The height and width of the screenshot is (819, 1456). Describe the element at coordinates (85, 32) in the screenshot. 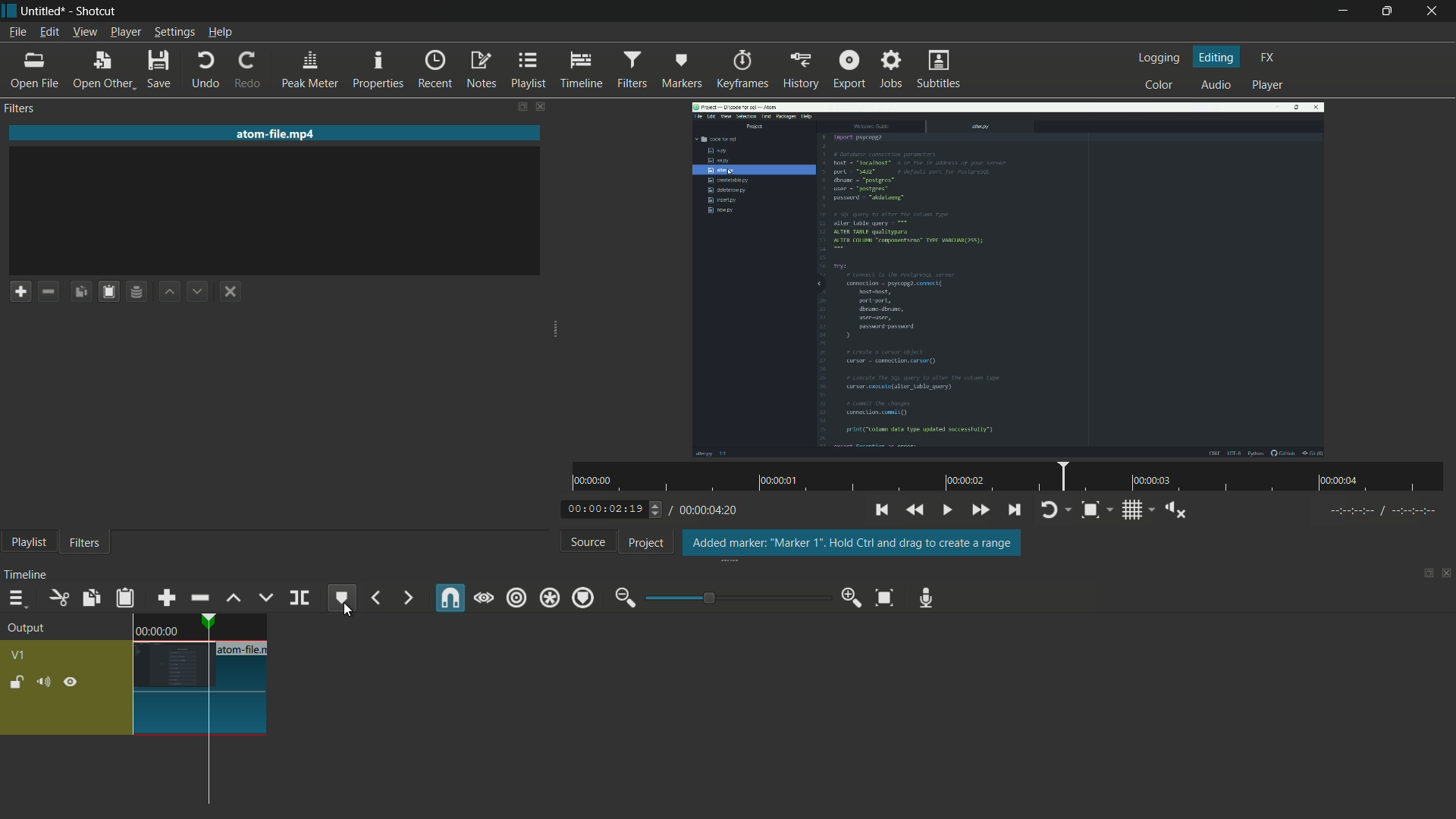

I see `view menu` at that location.